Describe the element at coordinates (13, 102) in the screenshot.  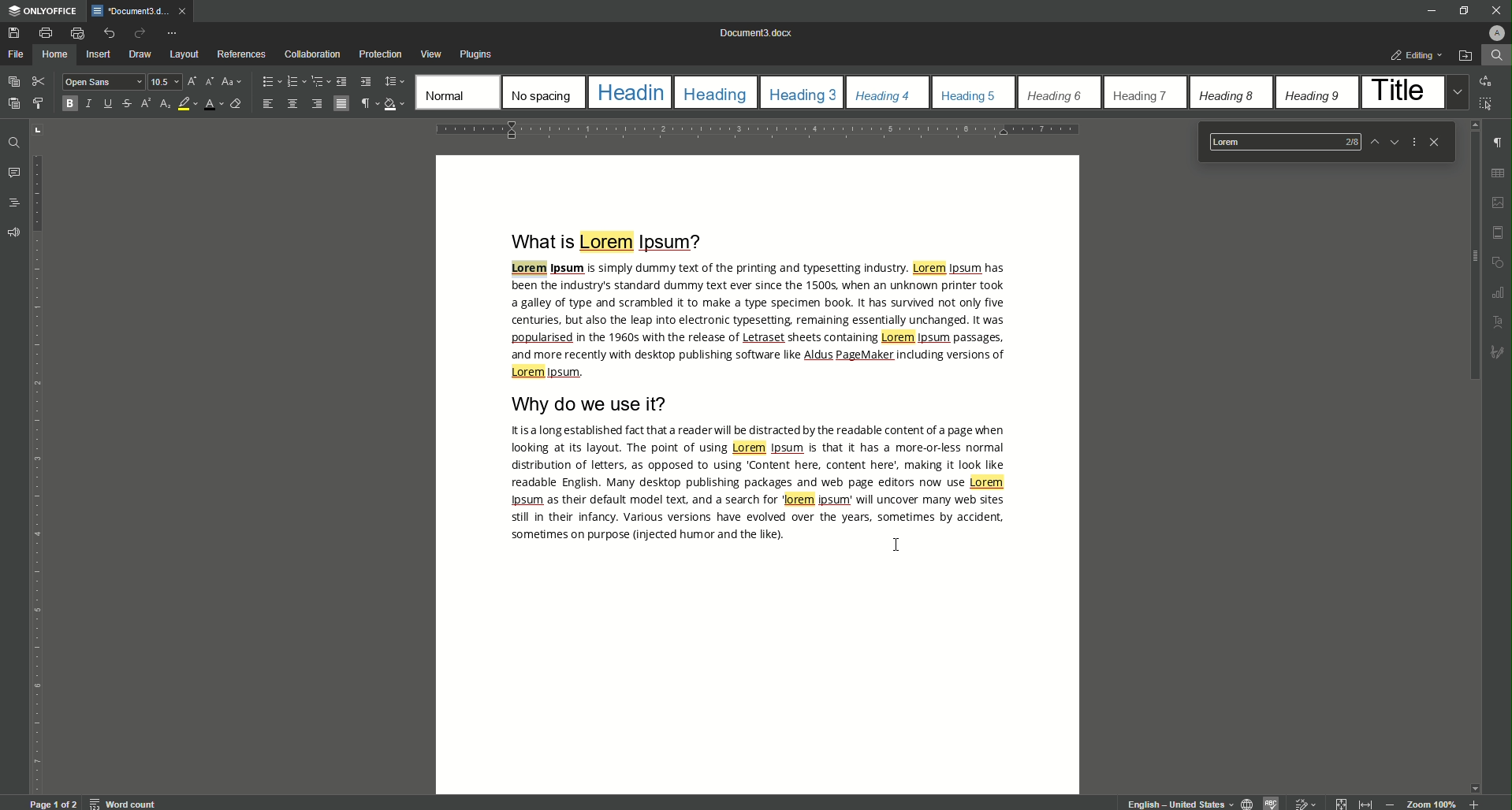
I see `Paste` at that location.